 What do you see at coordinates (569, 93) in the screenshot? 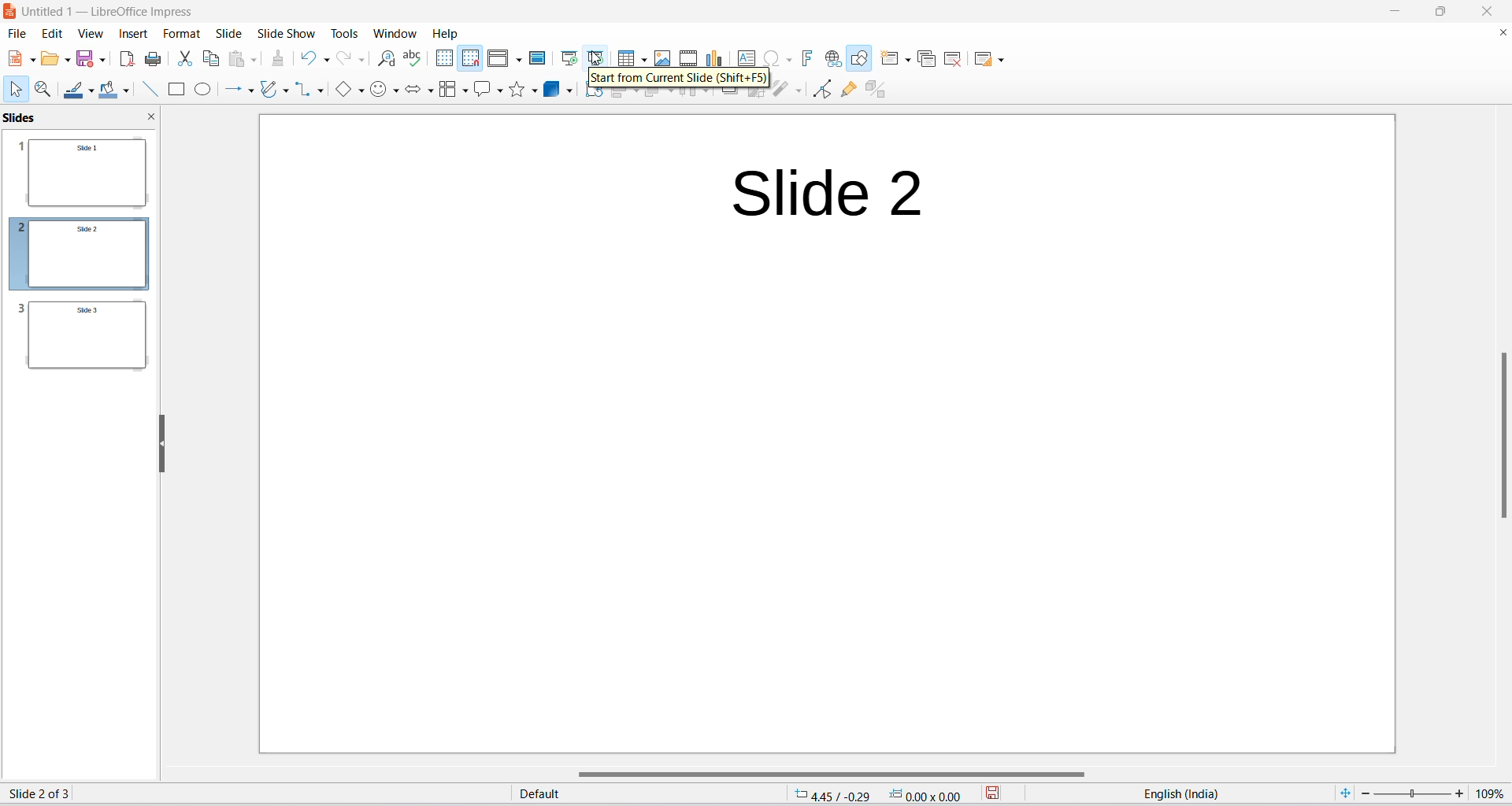
I see `3d object options` at bounding box center [569, 93].